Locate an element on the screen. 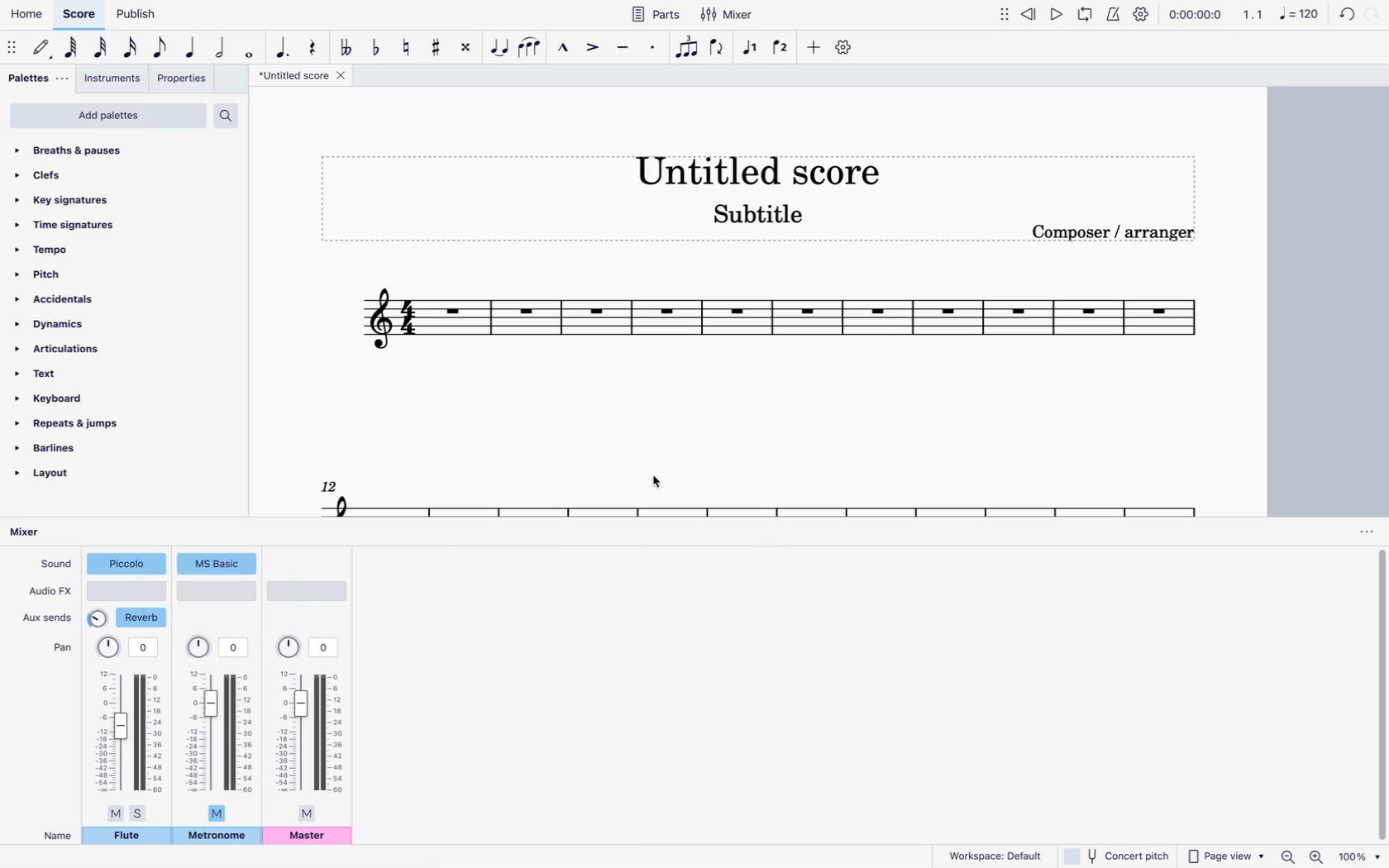 Image resolution: width=1389 pixels, height=868 pixels. toggle double flat is located at coordinates (346, 47).